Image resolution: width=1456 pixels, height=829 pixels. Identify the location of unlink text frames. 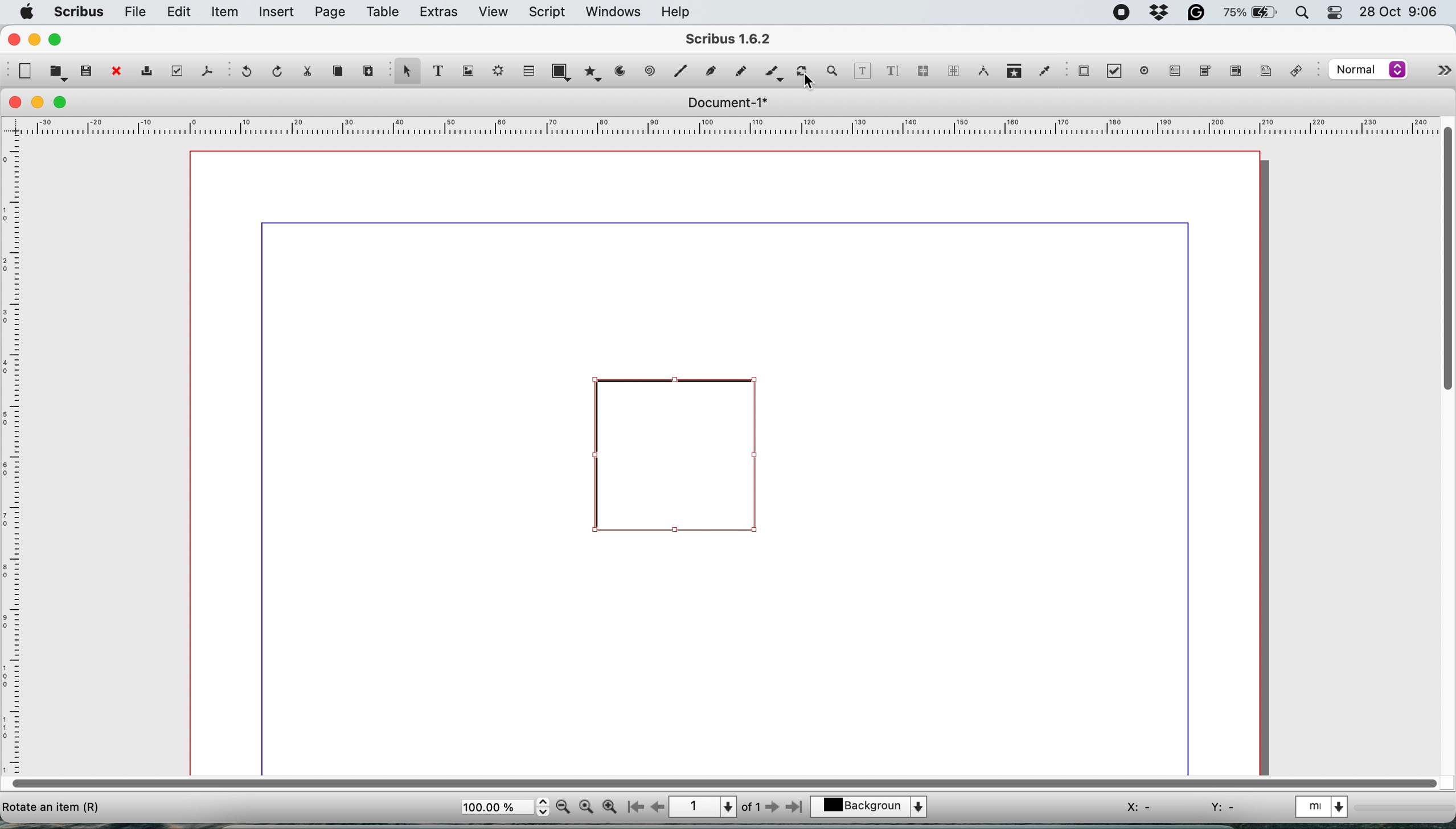
(953, 72).